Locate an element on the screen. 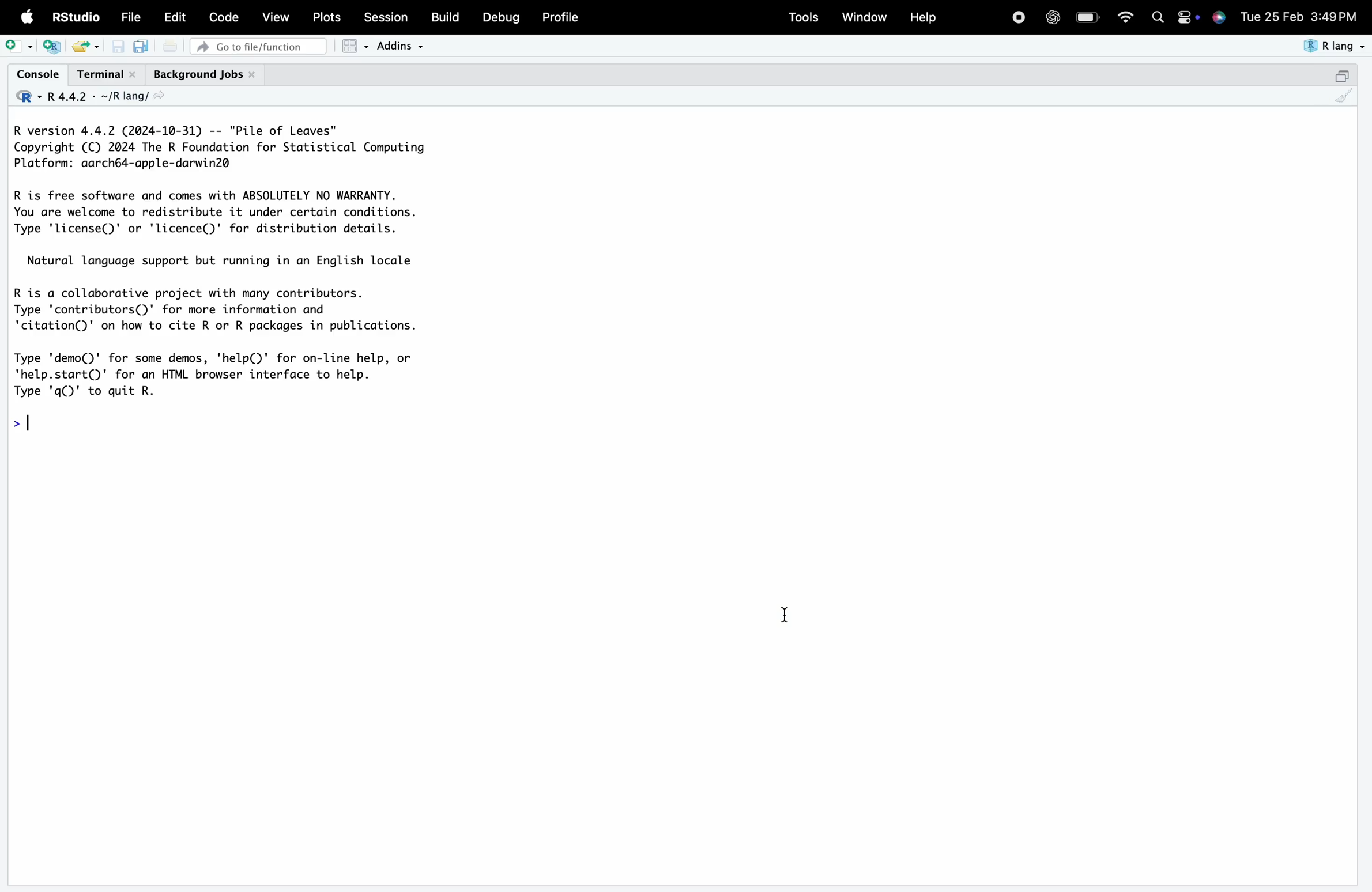  R is located at coordinates (27, 97).